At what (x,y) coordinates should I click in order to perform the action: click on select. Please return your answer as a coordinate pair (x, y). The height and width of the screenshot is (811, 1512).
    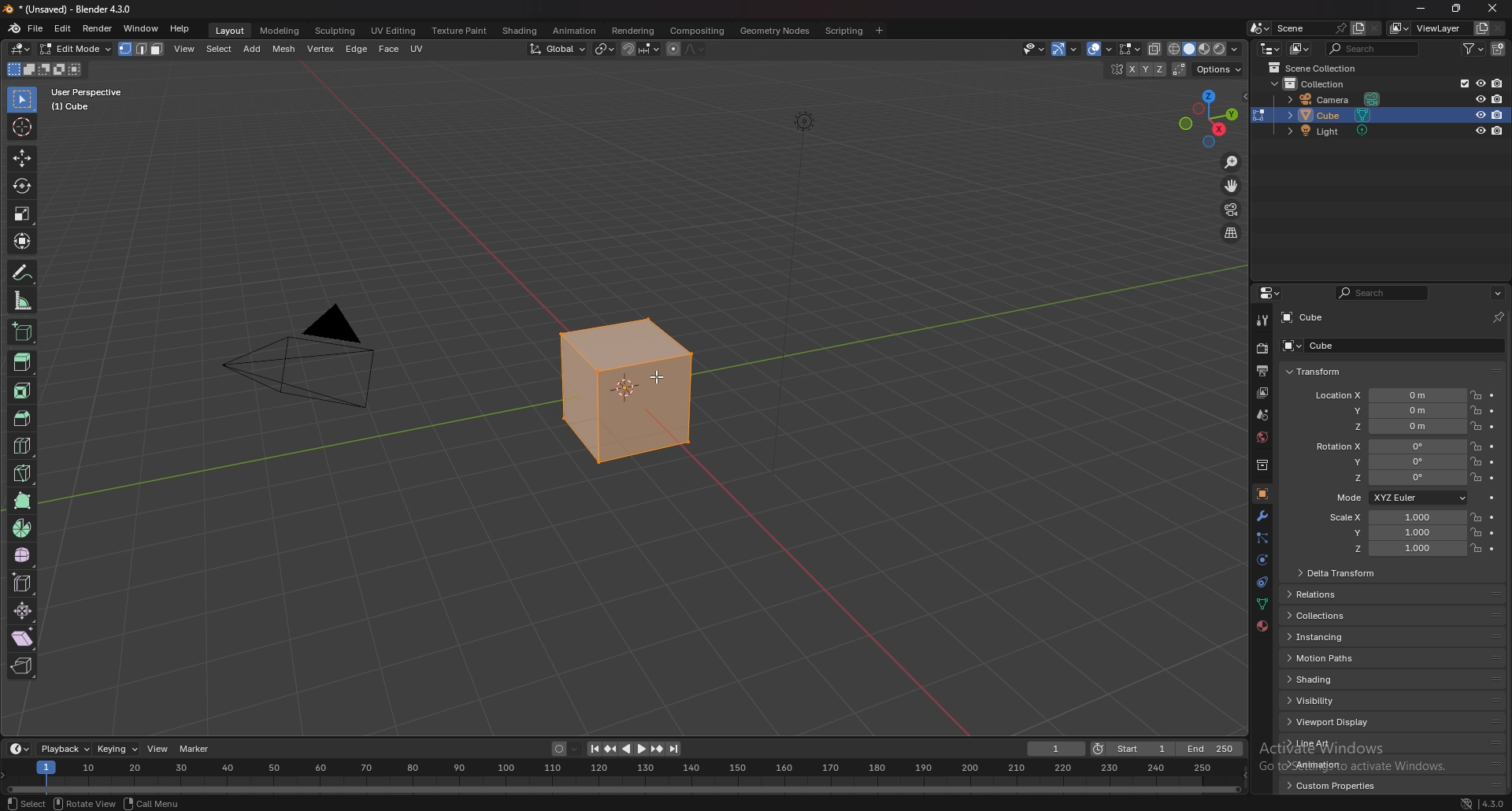
    Looking at the image, I should click on (23, 99).